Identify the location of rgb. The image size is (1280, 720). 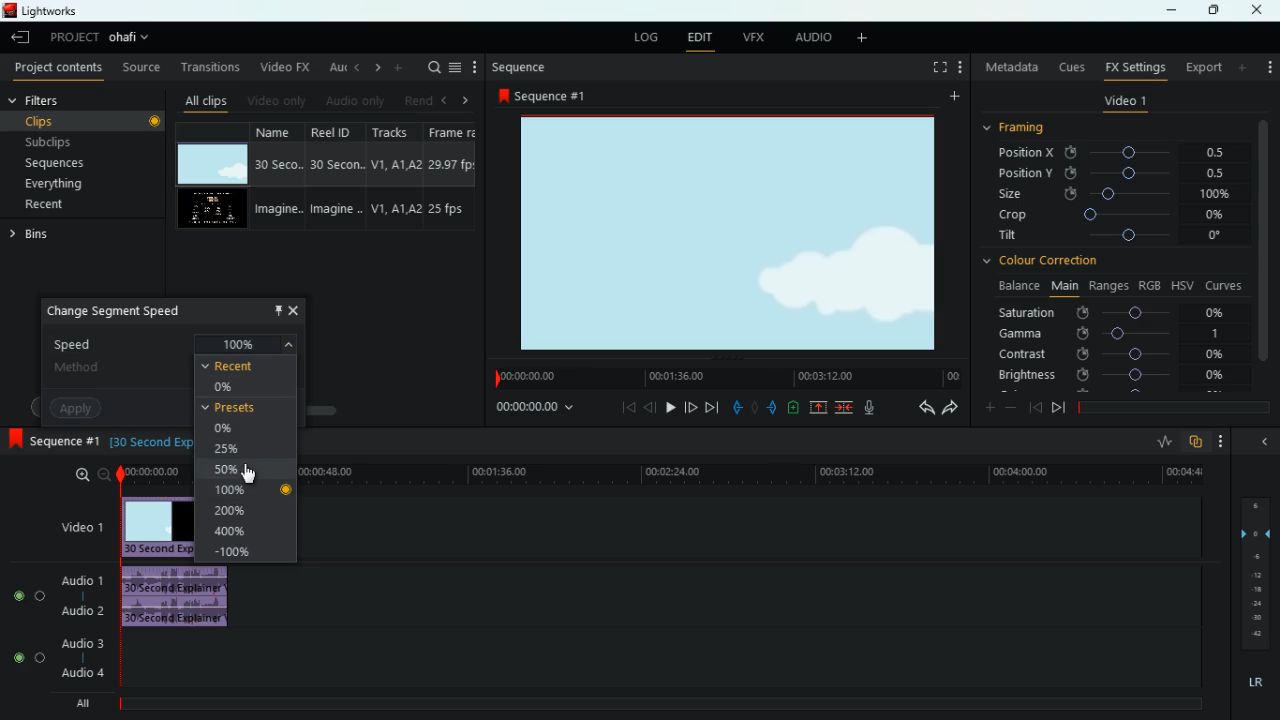
(1151, 284).